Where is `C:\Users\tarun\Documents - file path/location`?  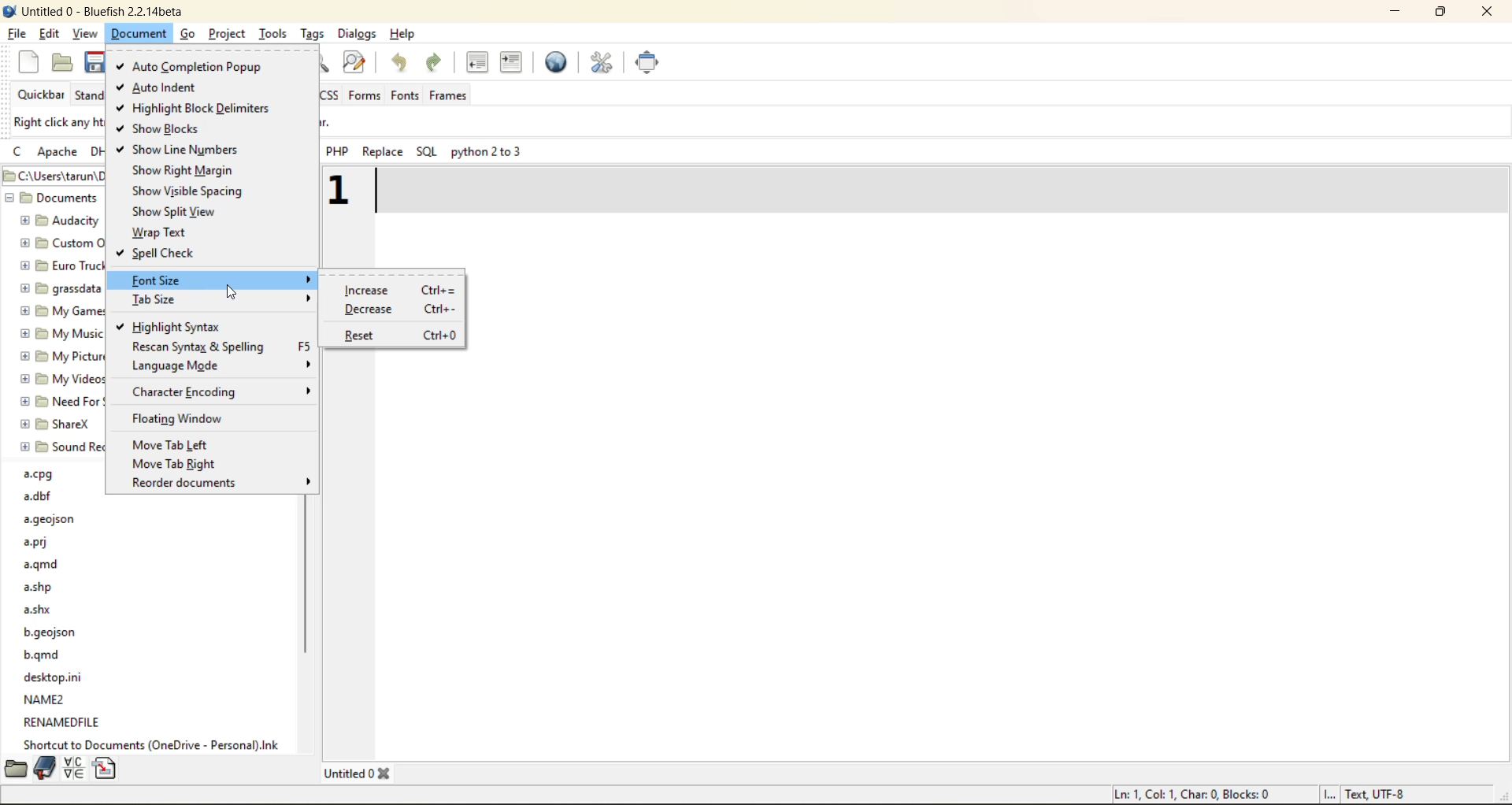 C:\Users\tarun\Documents - file path/location is located at coordinates (54, 175).